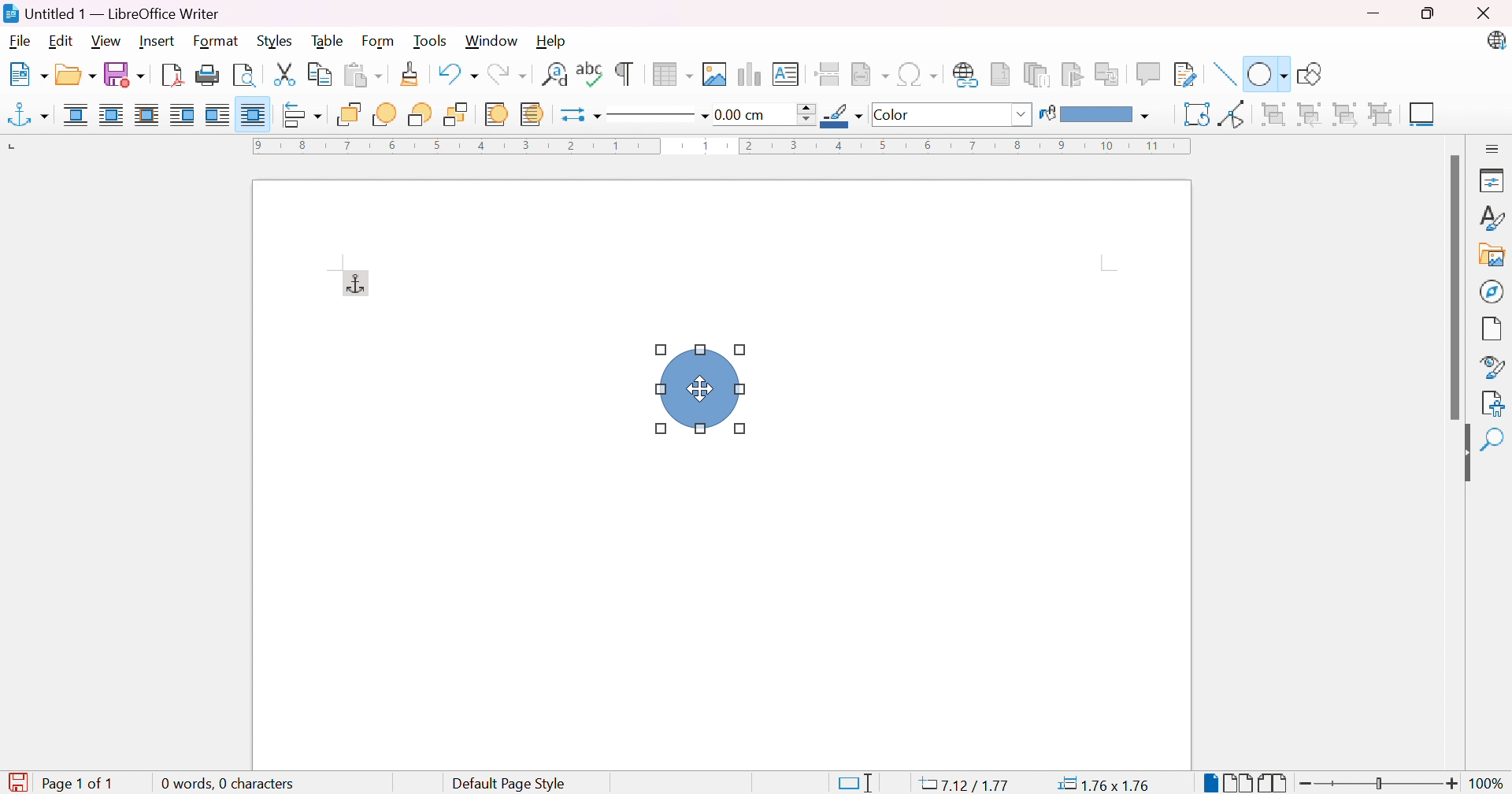  I want to click on Align objects, so click(303, 116).